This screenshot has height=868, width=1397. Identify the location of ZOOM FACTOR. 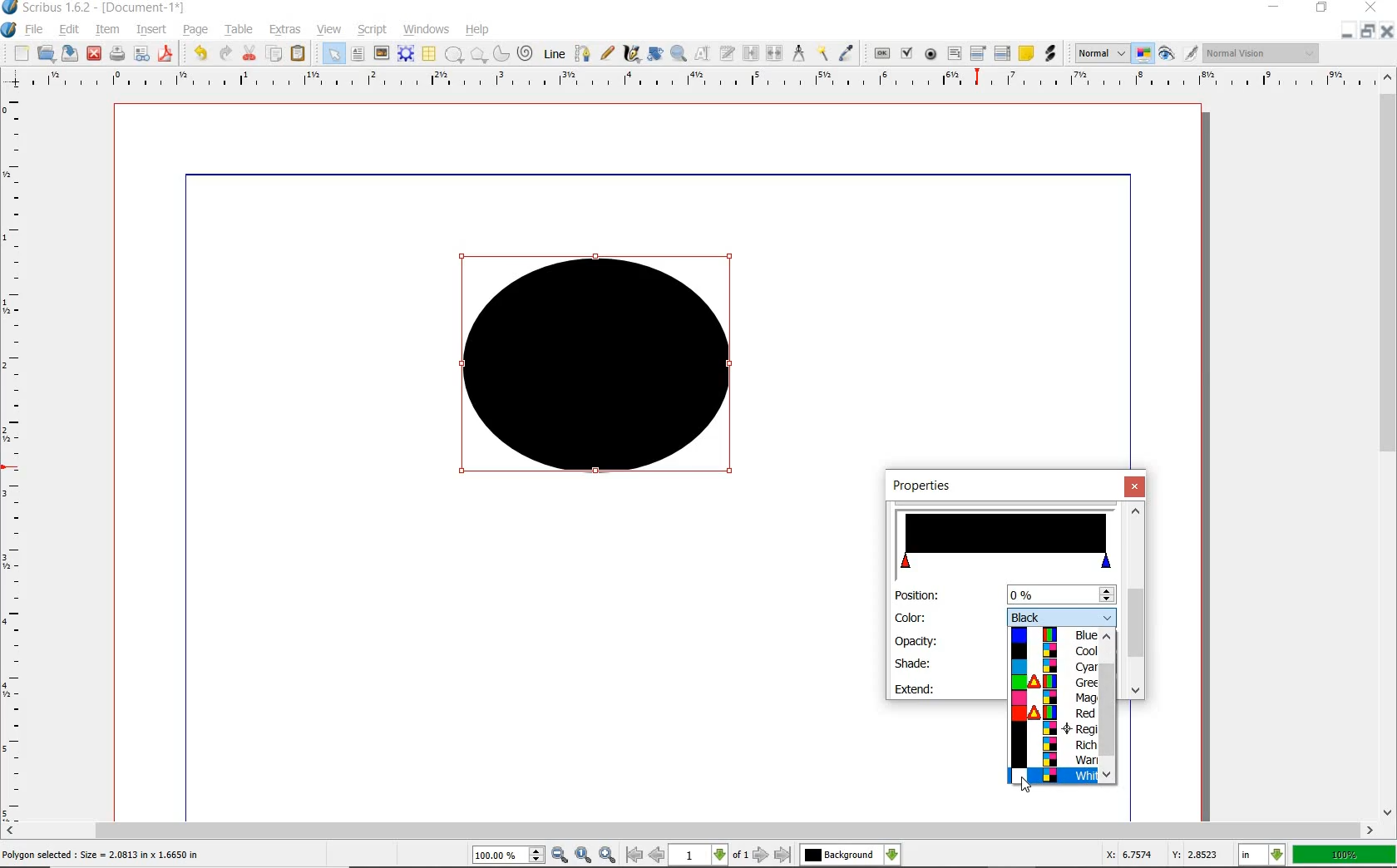
(1344, 856).